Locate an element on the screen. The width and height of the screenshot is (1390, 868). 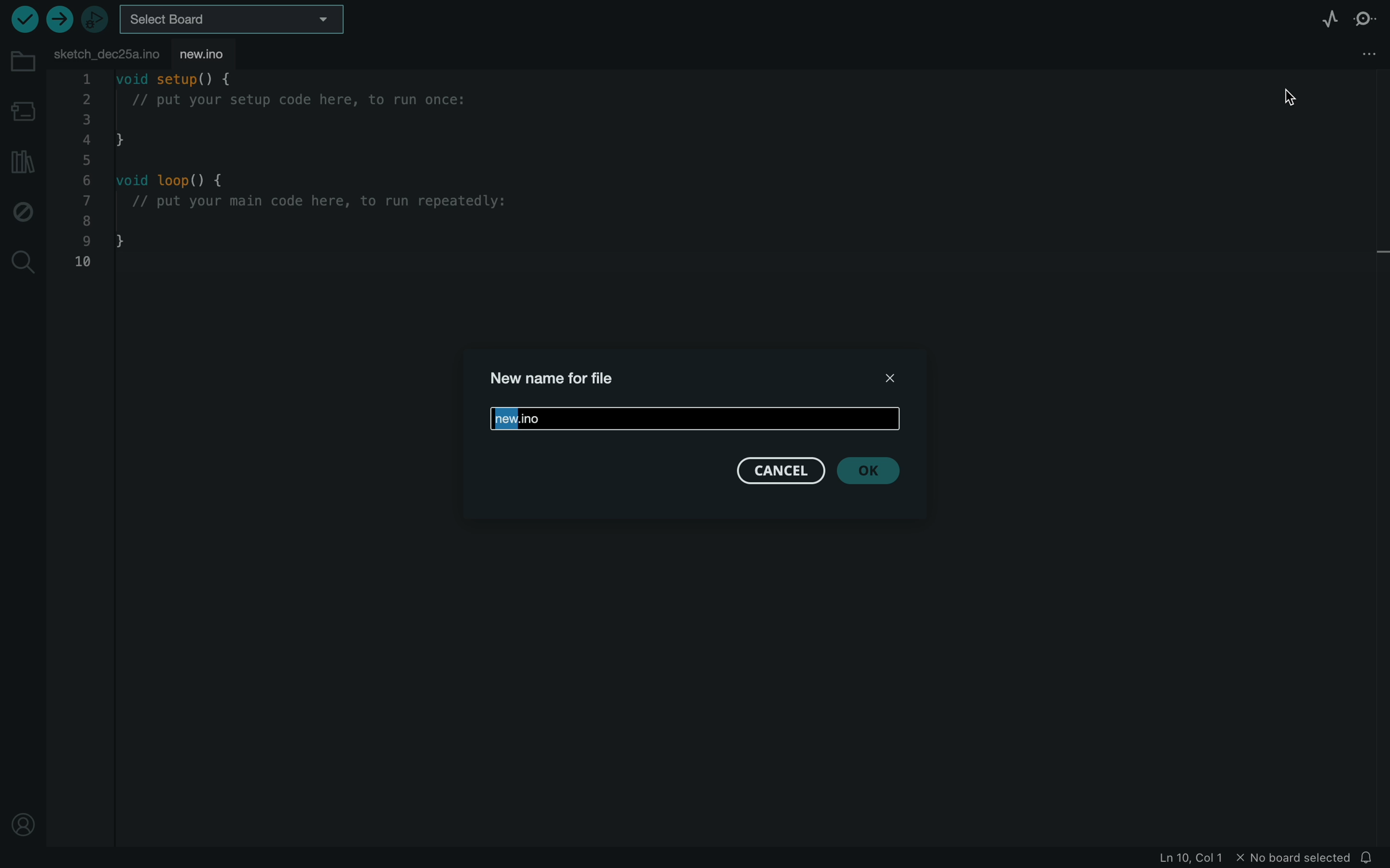
notification is located at coordinates (1371, 858).